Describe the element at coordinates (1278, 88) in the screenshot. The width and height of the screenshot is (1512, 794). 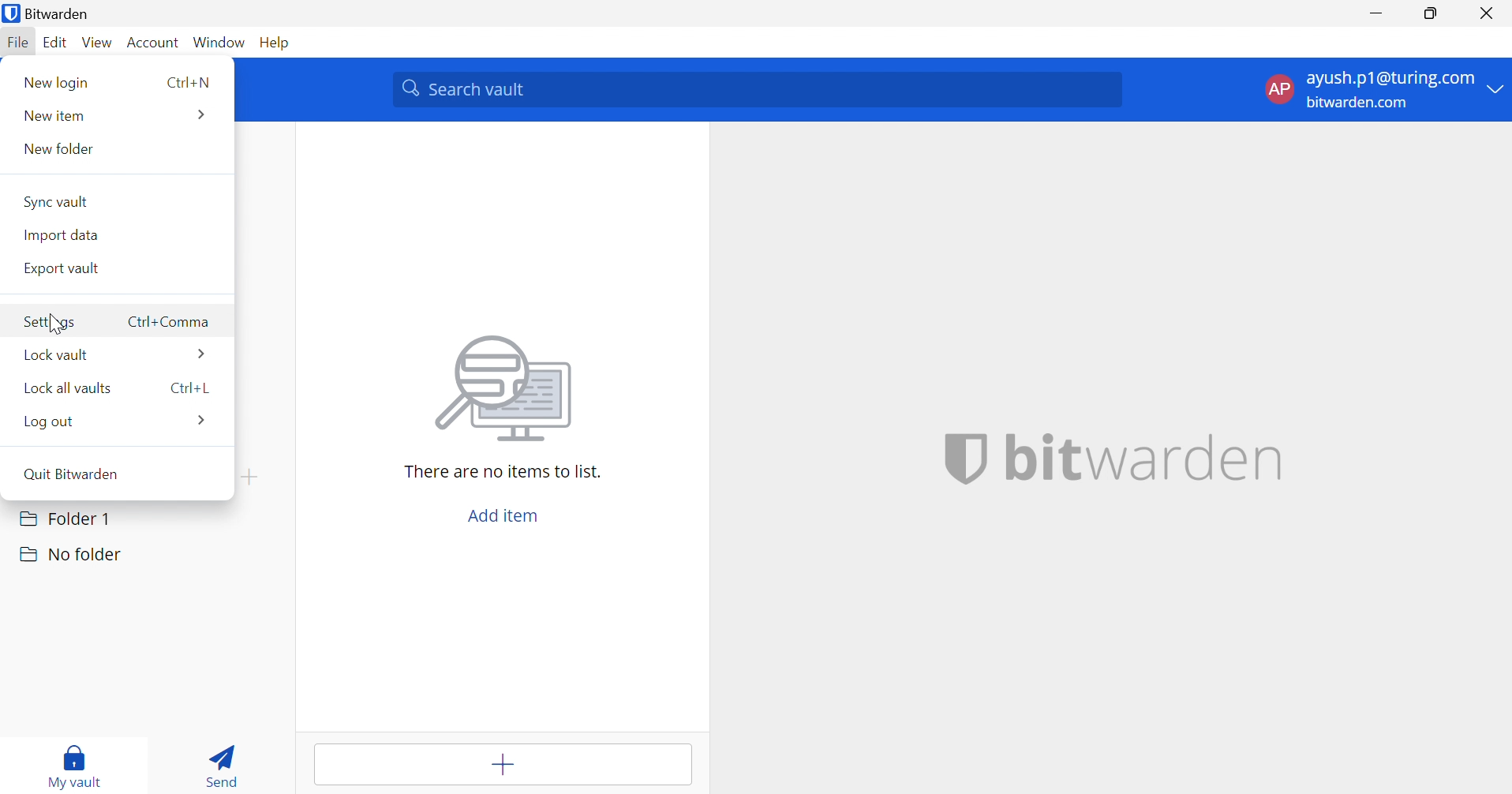
I see `AP` at that location.